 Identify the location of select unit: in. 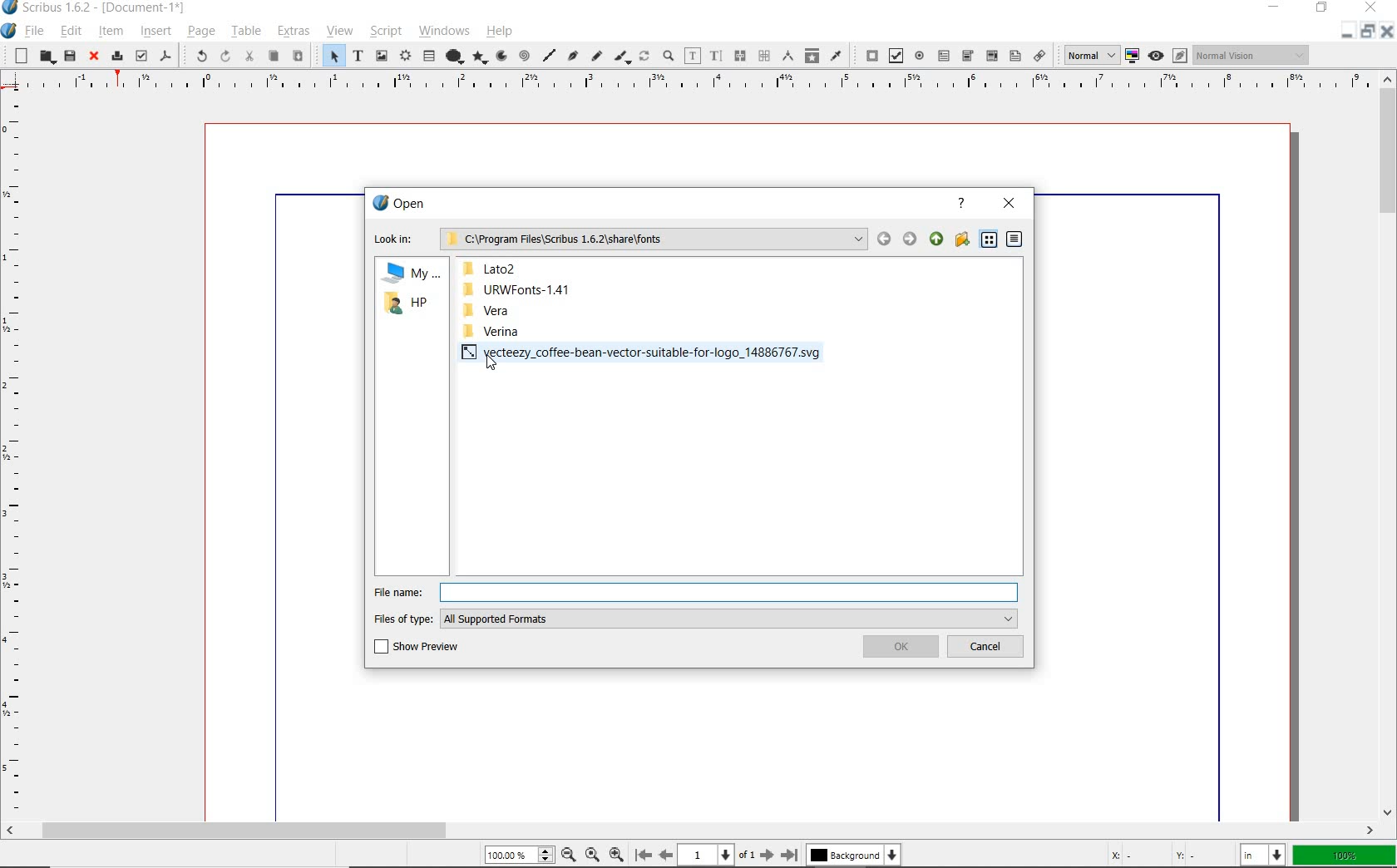
(1265, 856).